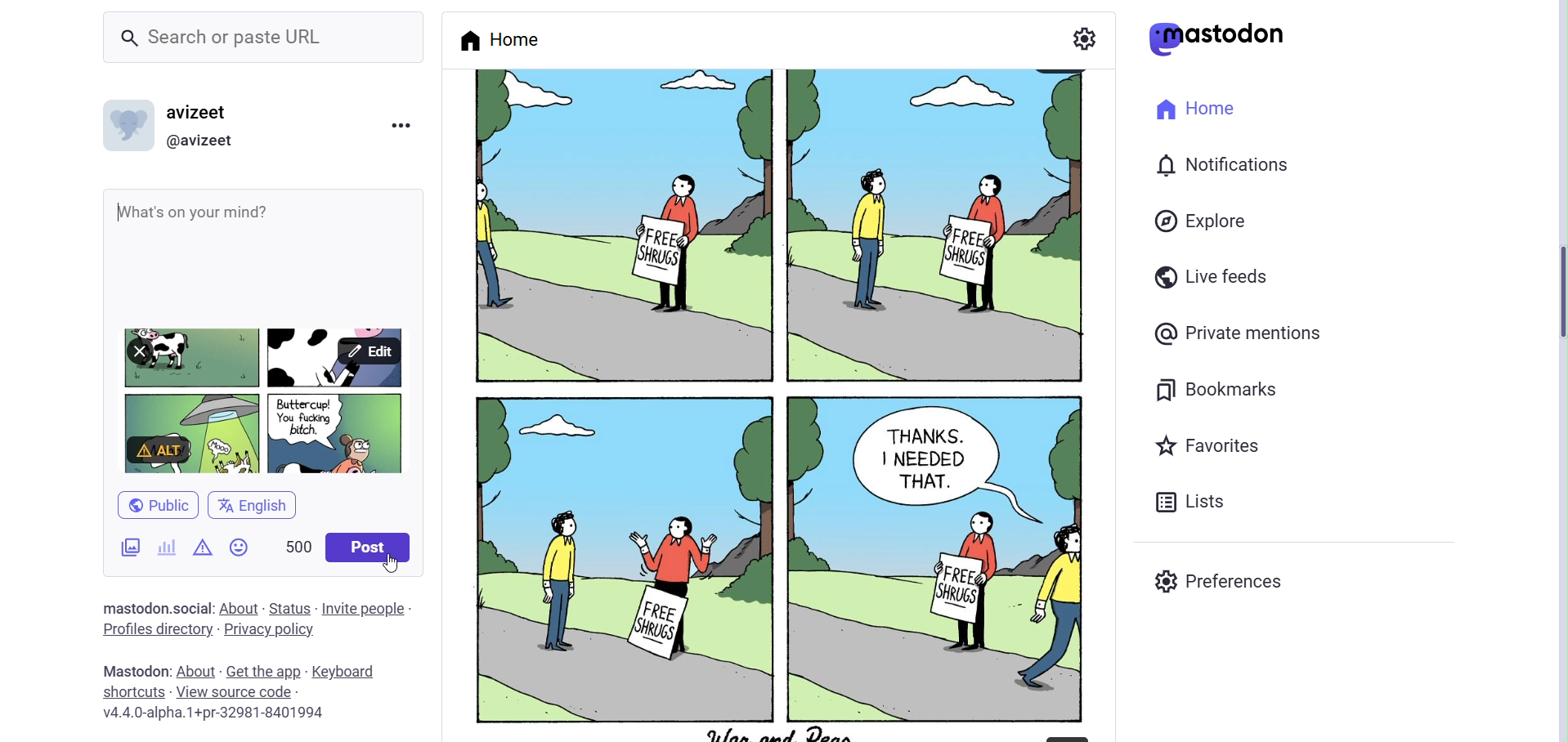 This screenshot has width=1568, height=742. What do you see at coordinates (133, 670) in the screenshot?
I see `Text` at bounding box center [133, 670].